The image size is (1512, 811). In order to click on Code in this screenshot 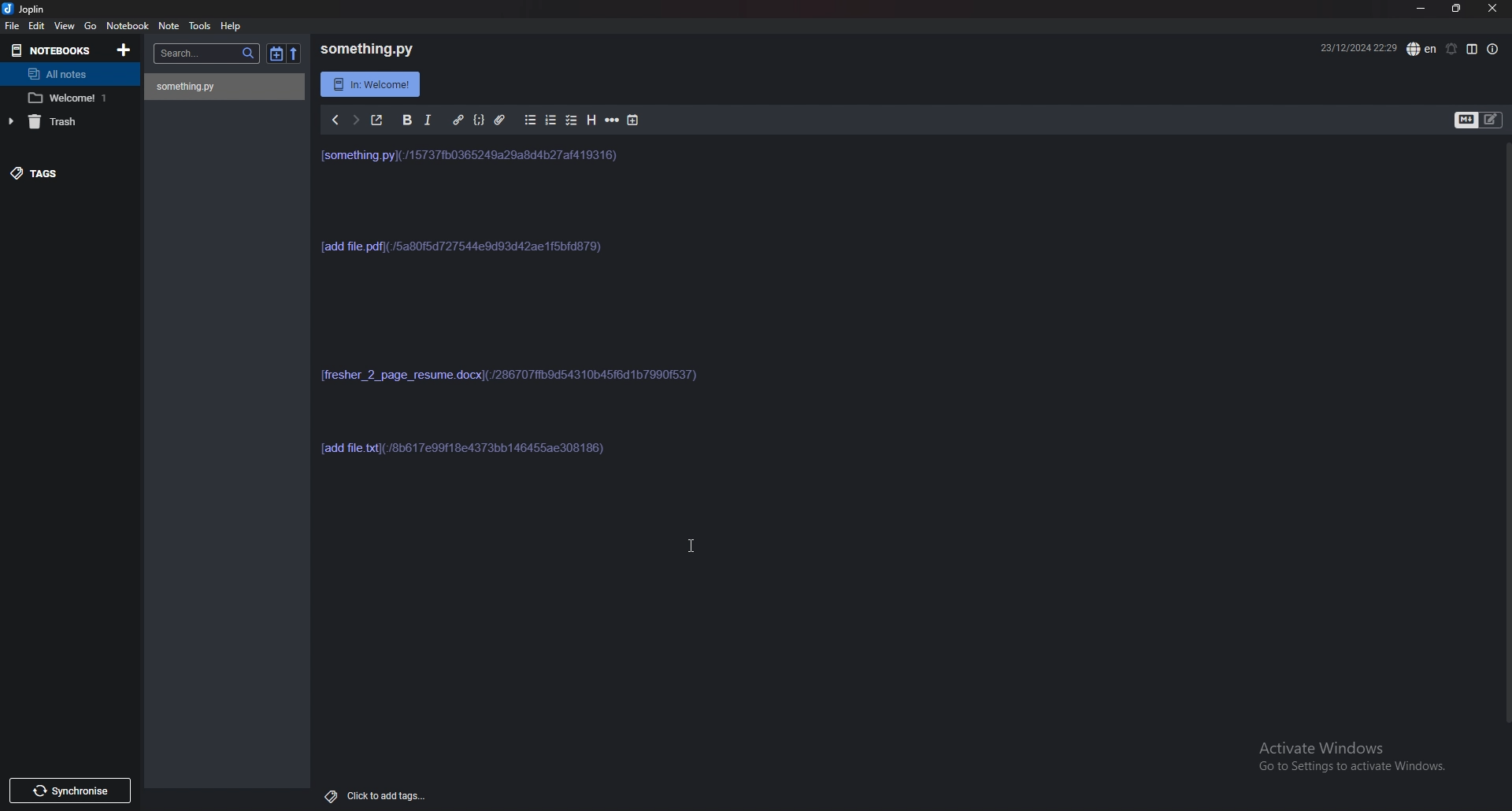, I will do `click(478, 120)`.